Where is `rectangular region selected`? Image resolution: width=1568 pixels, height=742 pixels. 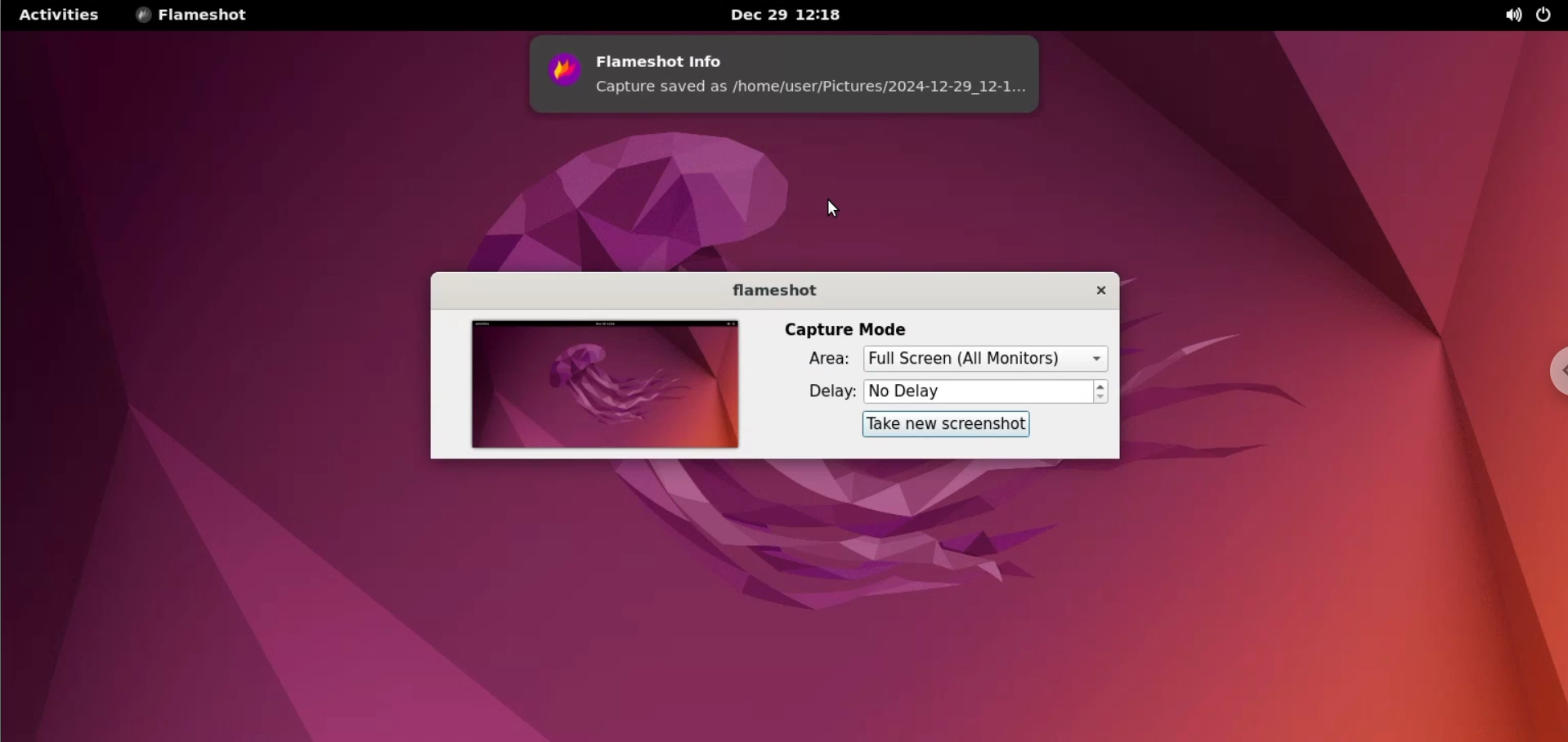
rectangular region selected is located at coordinates (988, 358).